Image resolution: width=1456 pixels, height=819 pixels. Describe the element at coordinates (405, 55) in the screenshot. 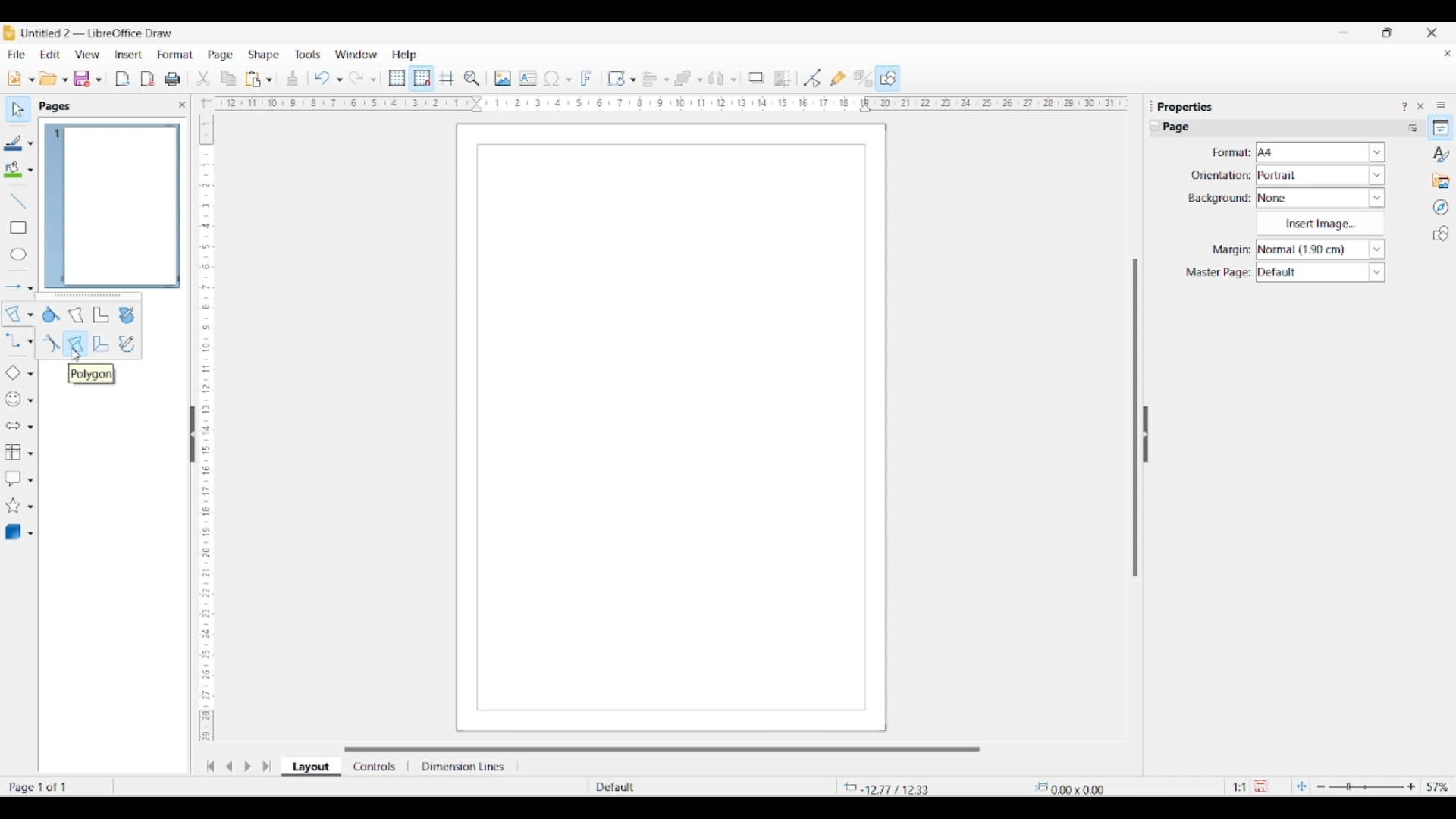

I see `Help` at that location.